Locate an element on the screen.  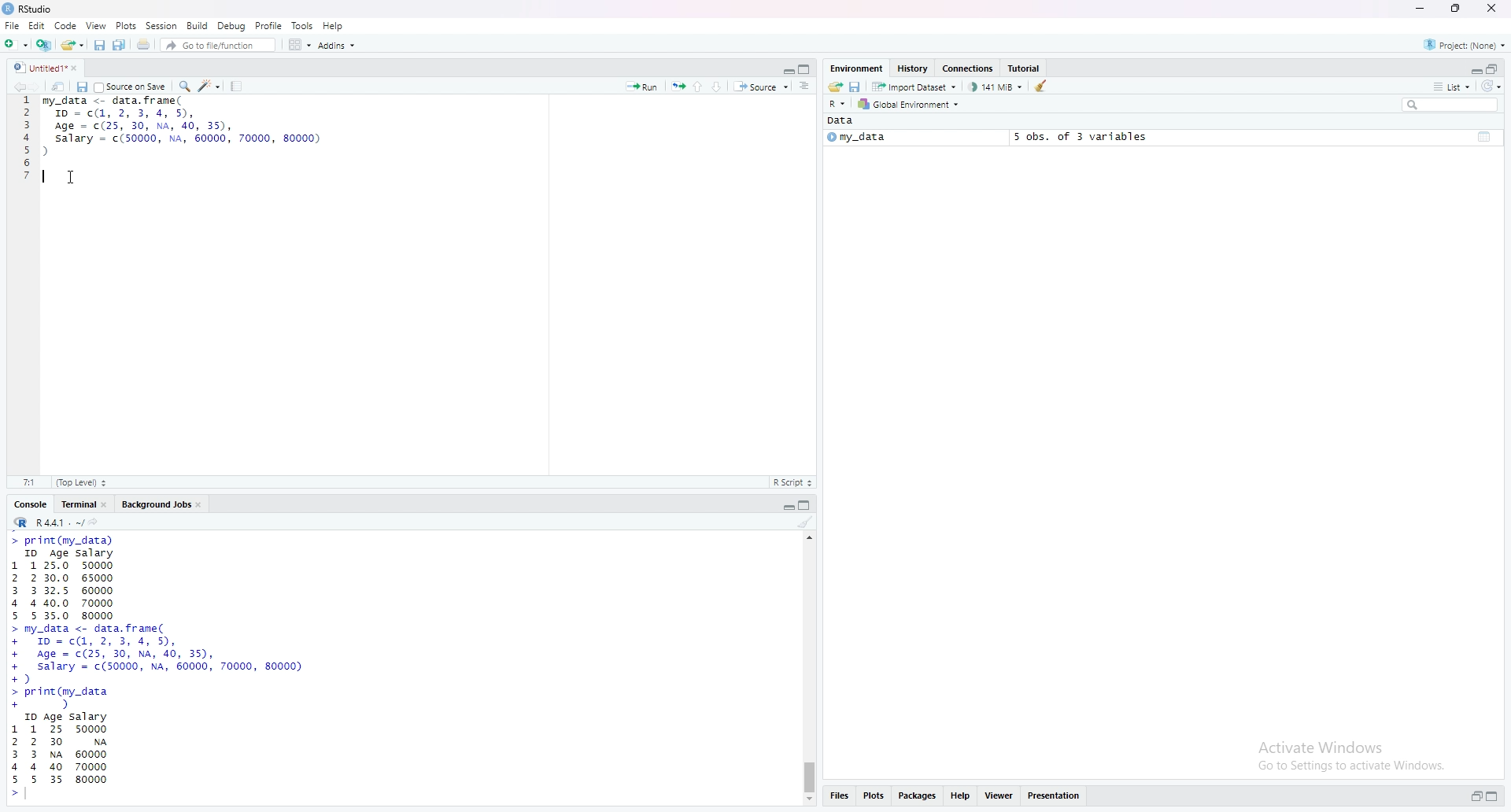
Rstudio is located at coordinates (29, 9).